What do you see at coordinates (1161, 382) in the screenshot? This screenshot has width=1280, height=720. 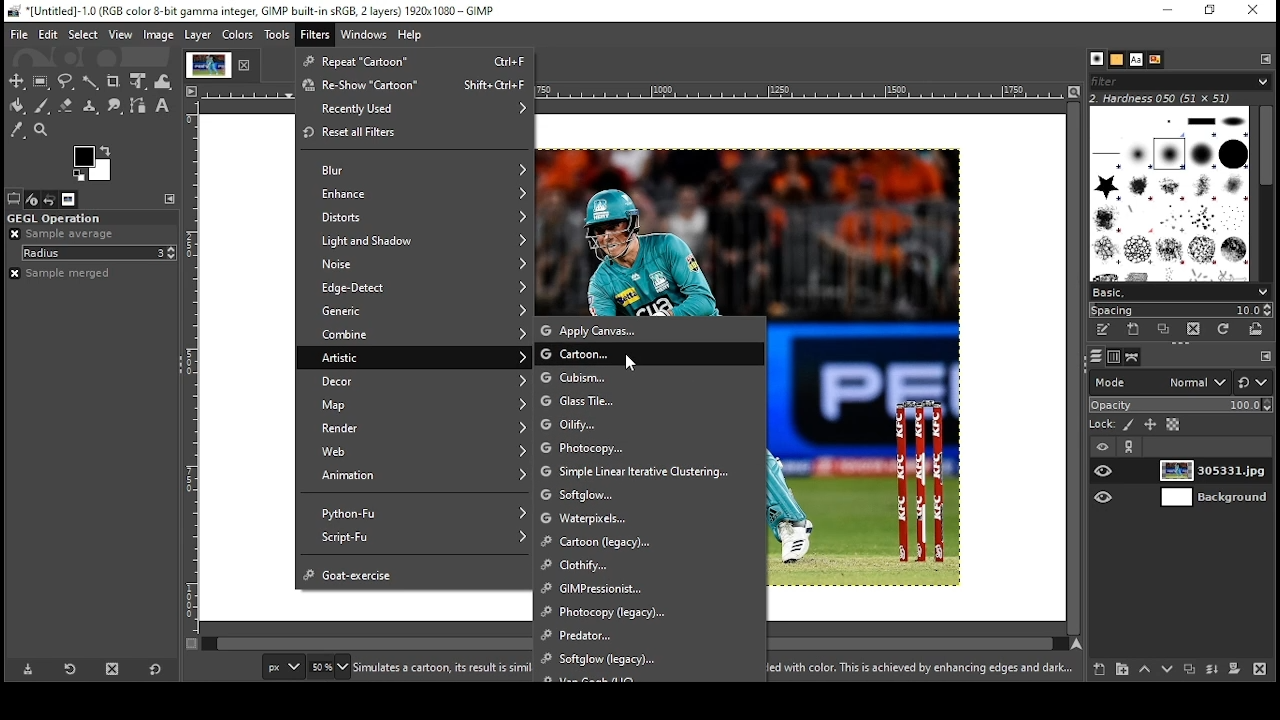 I see `mode` at bounding box center [1161, 382].